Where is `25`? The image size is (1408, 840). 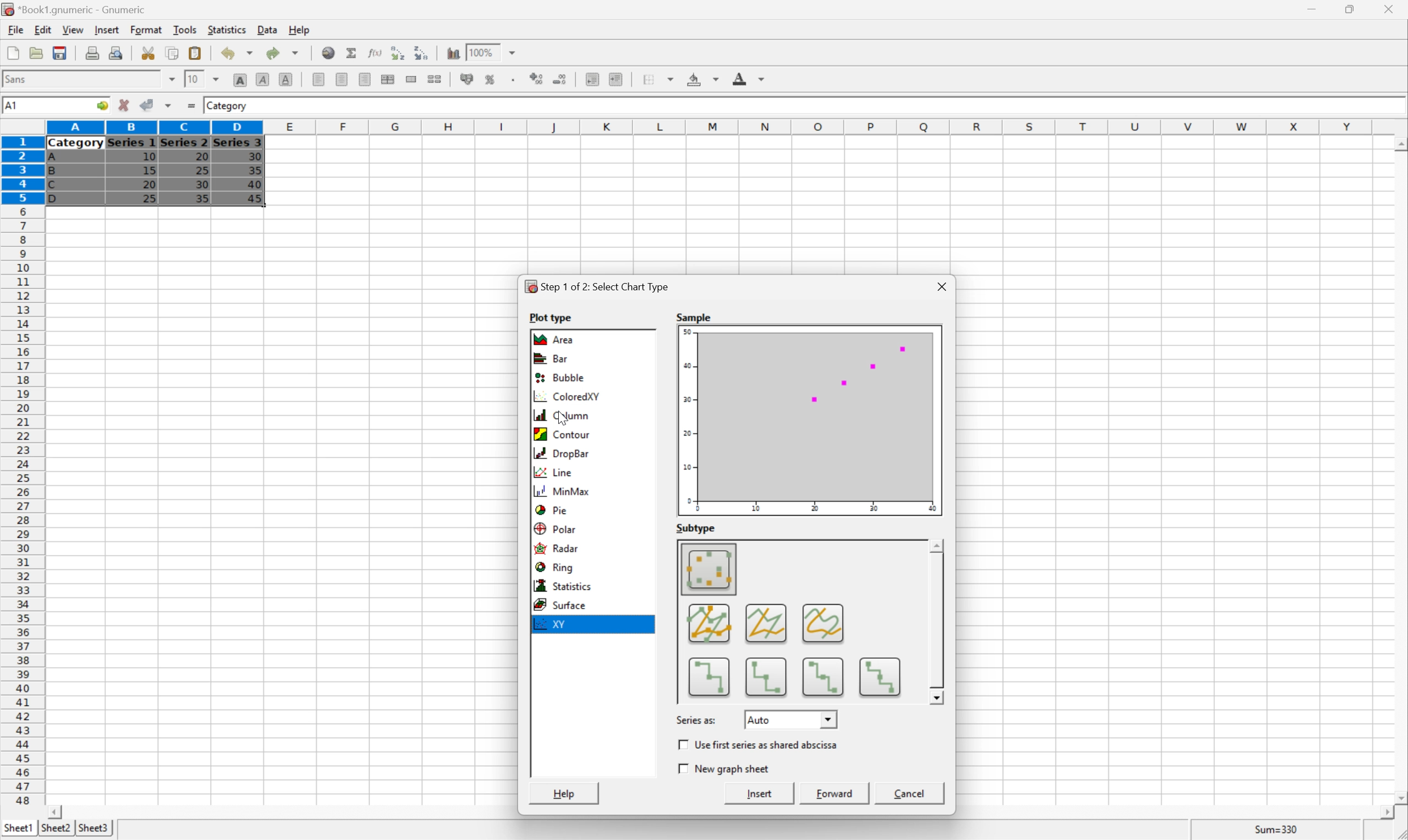
25 is located at coordinates (203, 170).